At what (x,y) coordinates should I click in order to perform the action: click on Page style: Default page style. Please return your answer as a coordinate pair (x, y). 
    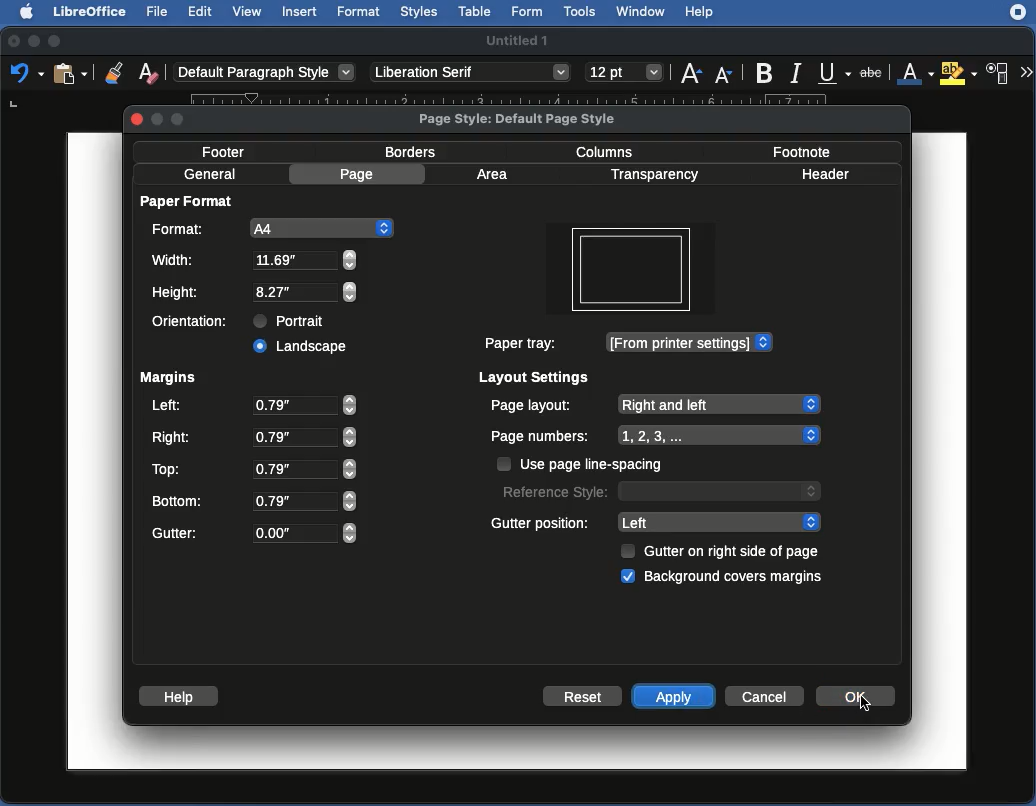
    Looking at the image, I should click on (523, 119).